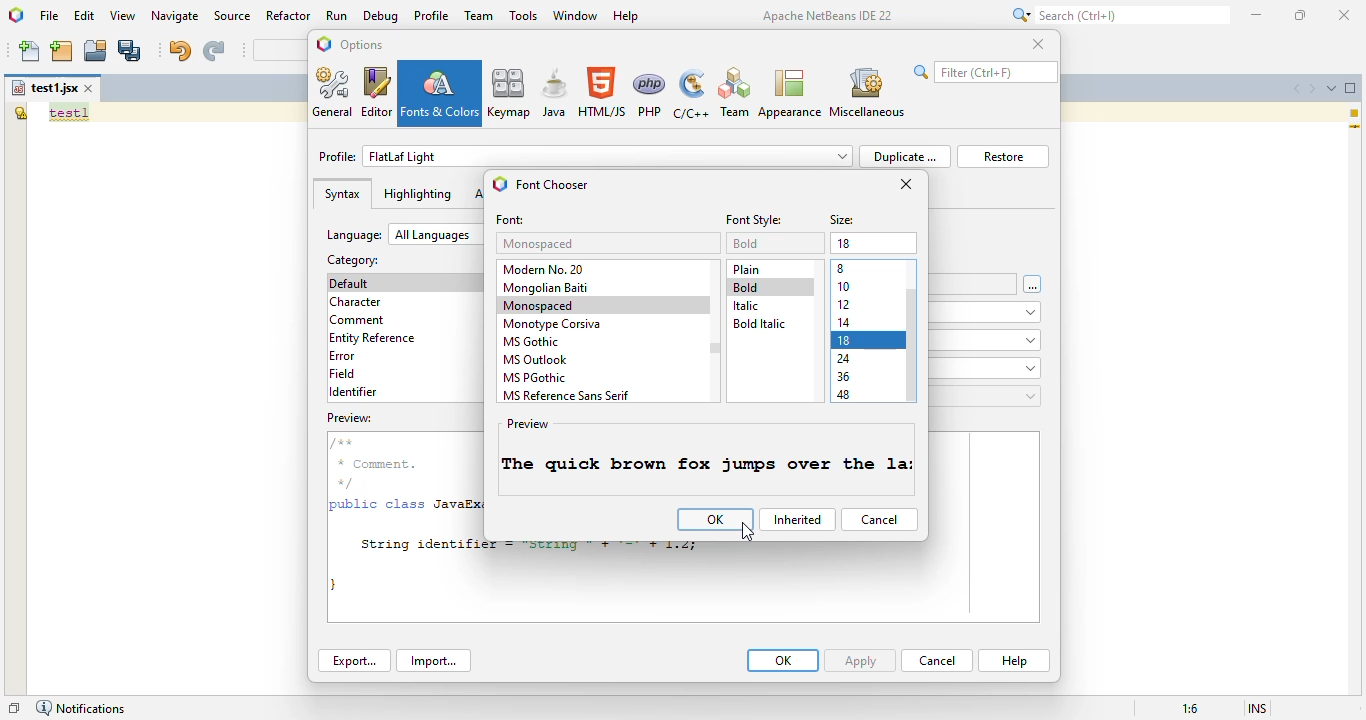 The width and height of the screenshot is (1366, 720). What do you see at coordinates (844, 359) in the screenshot?
I see `24` at bounding box center [844, 359].